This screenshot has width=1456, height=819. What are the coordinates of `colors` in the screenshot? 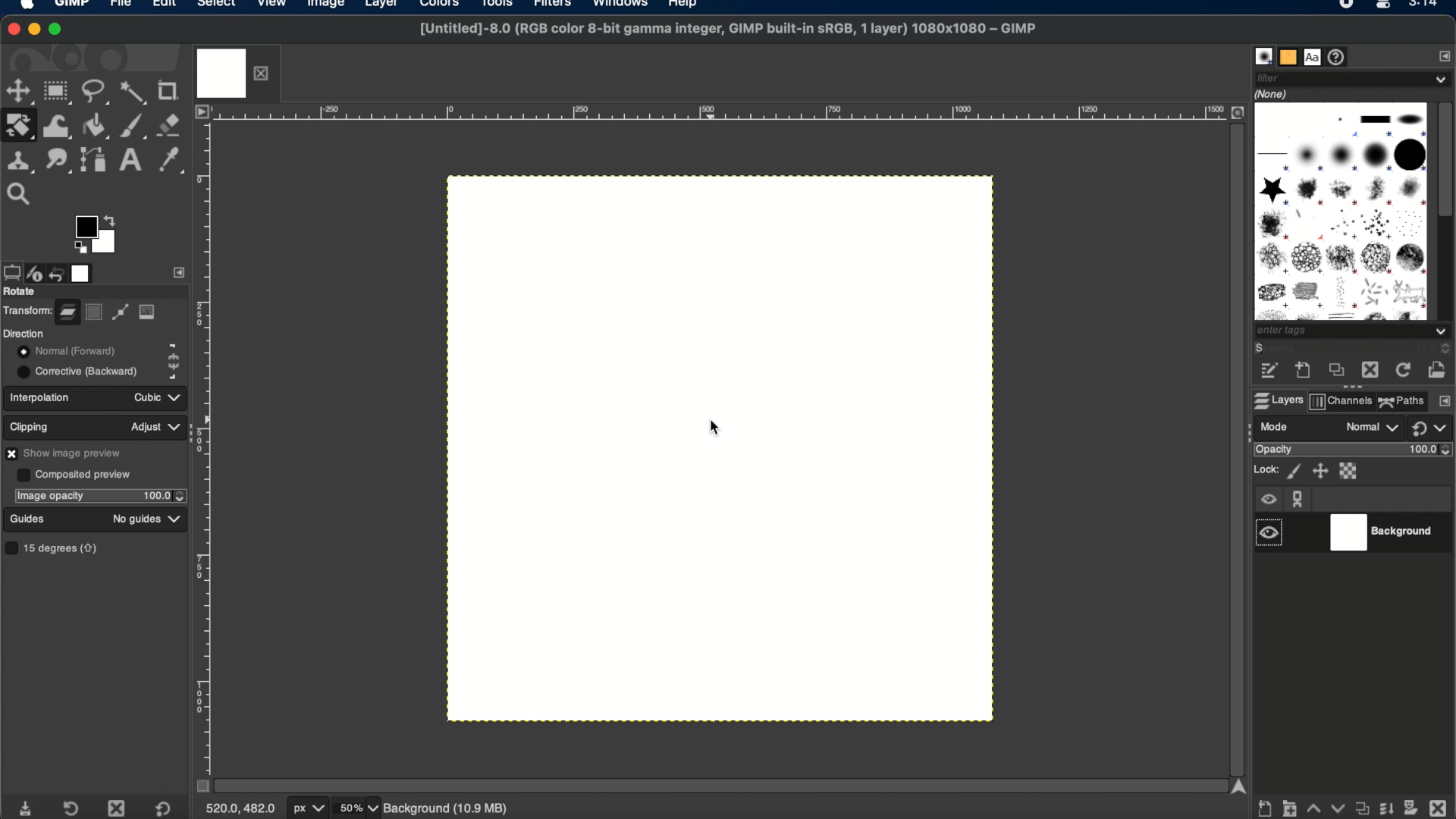 It's located at (443, 8).